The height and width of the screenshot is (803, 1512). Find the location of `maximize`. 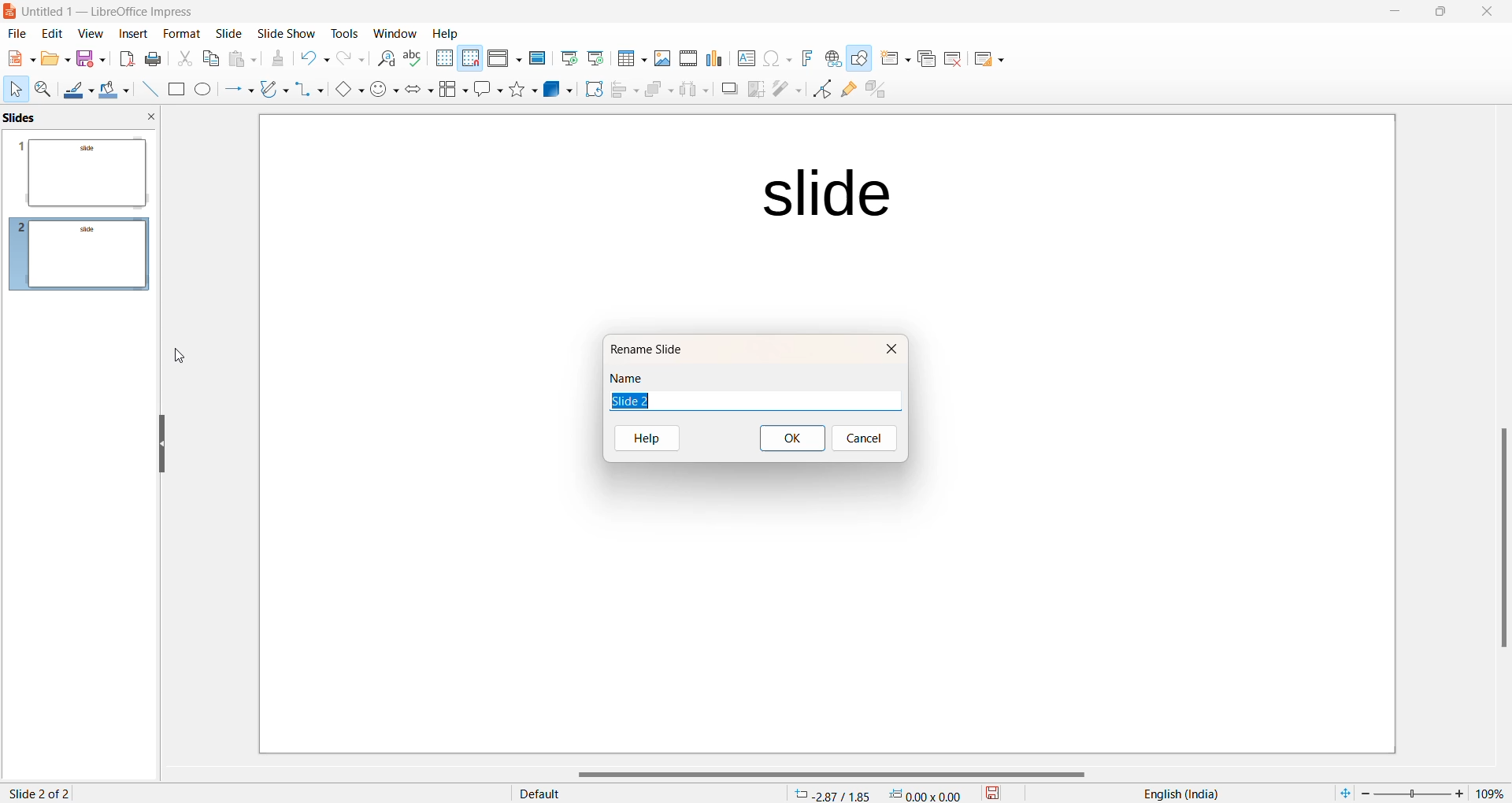

maximize is located at coordinates (1442, 15).